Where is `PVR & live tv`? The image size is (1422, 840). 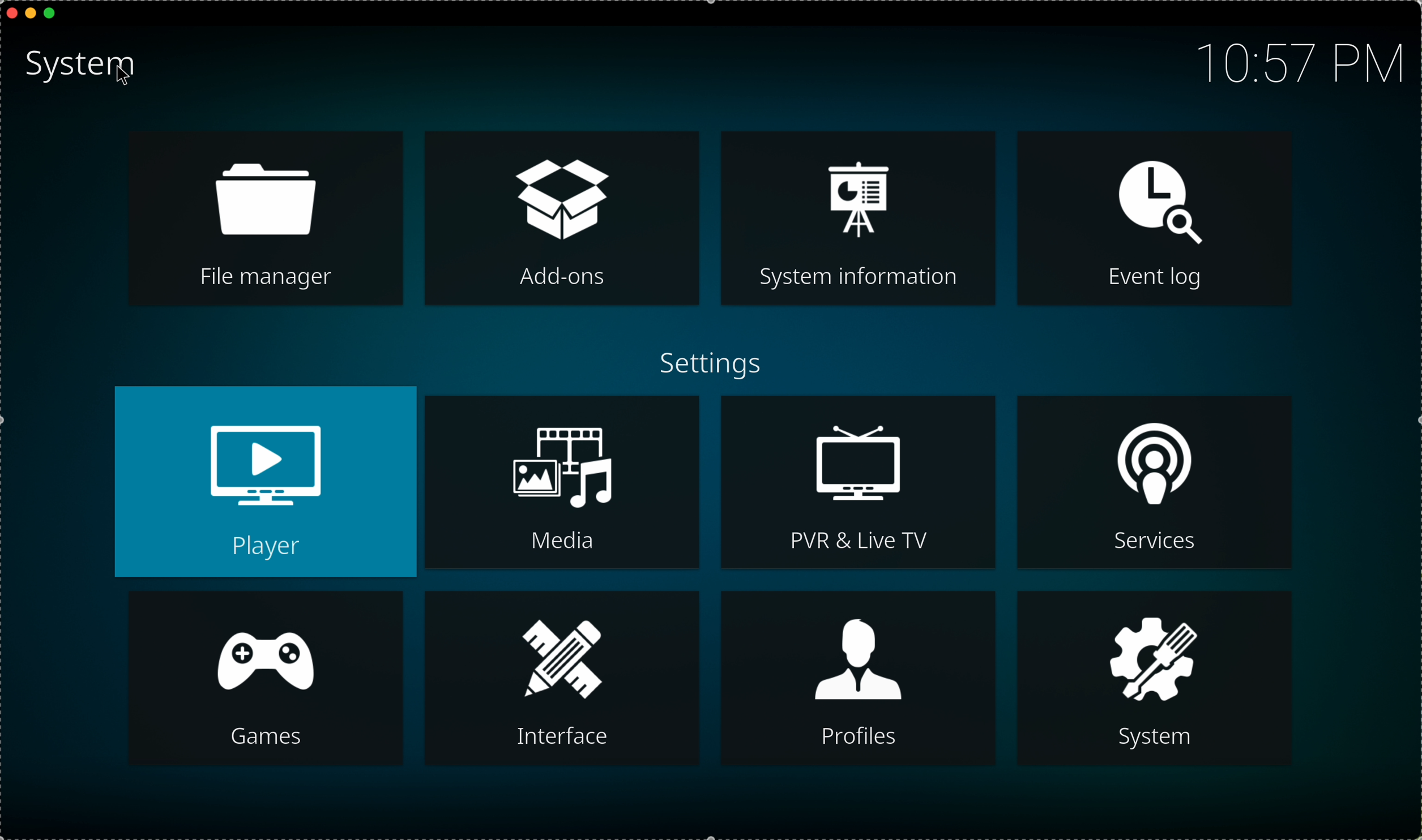
PVR & live tv is located at coordinates (859, 485).